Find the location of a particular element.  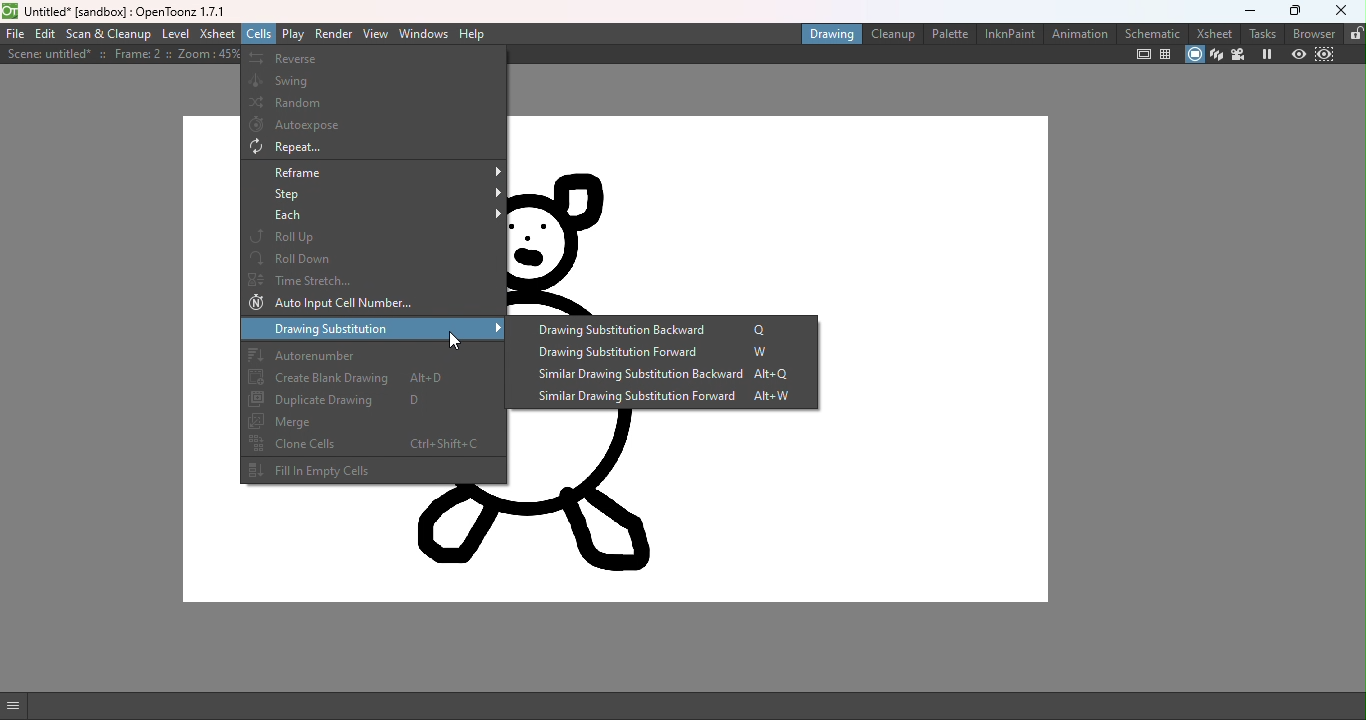

Animation is located at coordinates (1080, 34).